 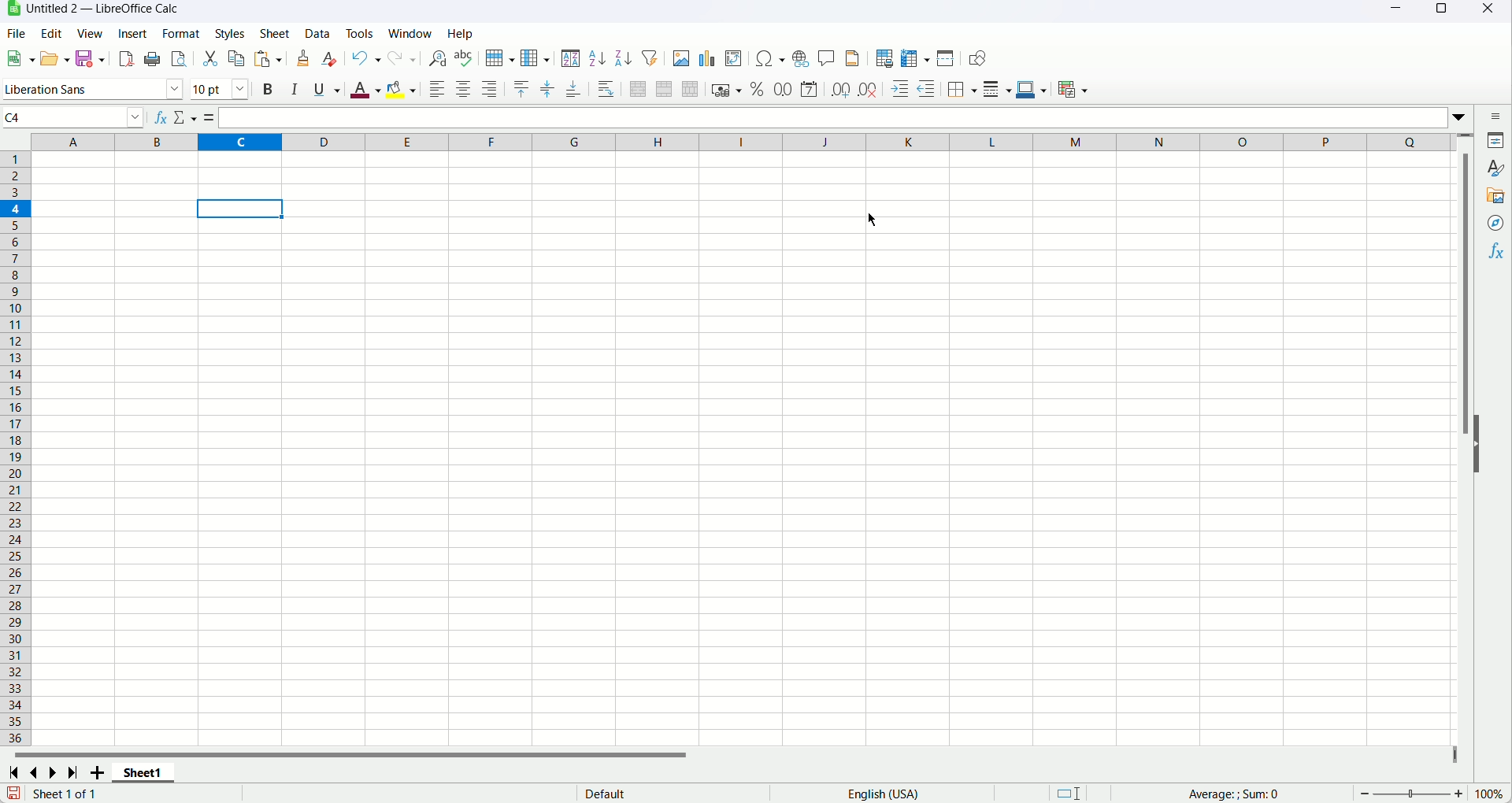 What do you see at coordinates (996, 89) in the screenshot?
I see `Border style` at bounding box center [996, 89].